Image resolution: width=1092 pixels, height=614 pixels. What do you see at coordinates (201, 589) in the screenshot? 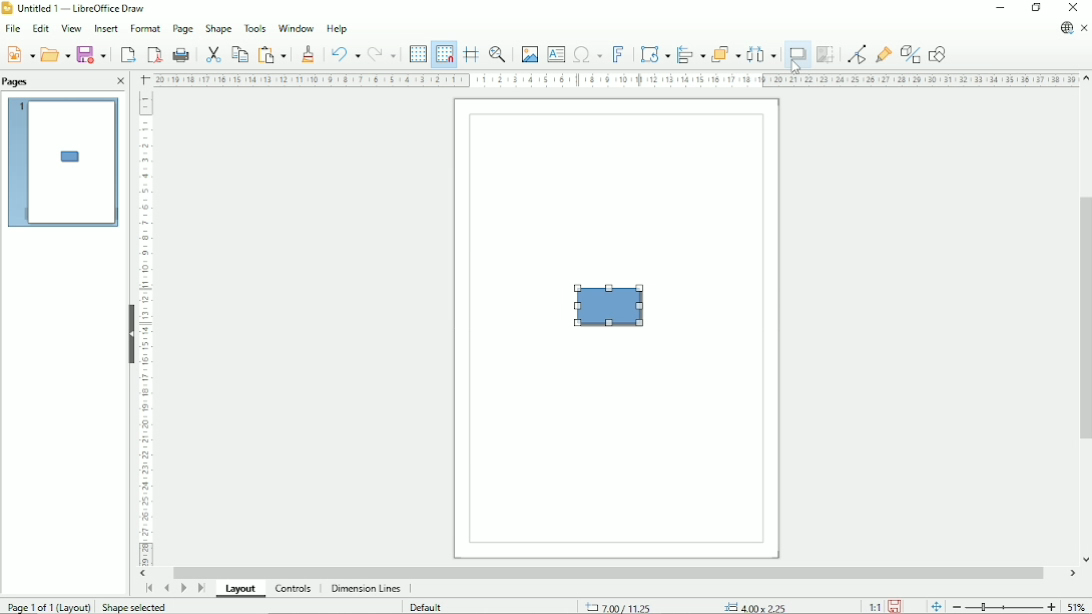
I see `Last page` at bounding box center [201, 589].